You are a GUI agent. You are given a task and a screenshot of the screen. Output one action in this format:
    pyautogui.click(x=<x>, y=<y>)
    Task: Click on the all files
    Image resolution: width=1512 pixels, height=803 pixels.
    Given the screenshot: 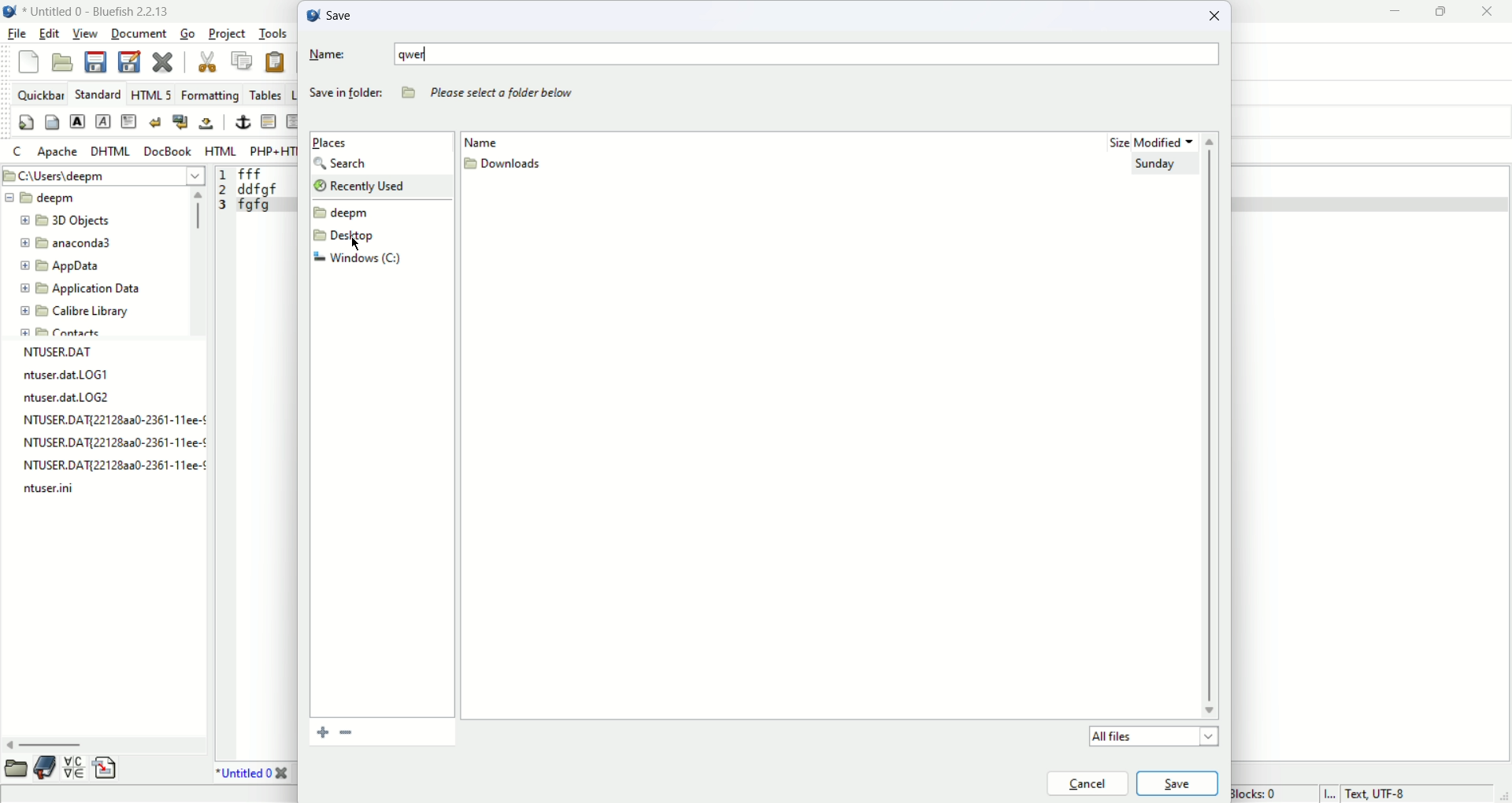 What is the action you would take?
    pyautogui.click(x=1150, y=736)
    